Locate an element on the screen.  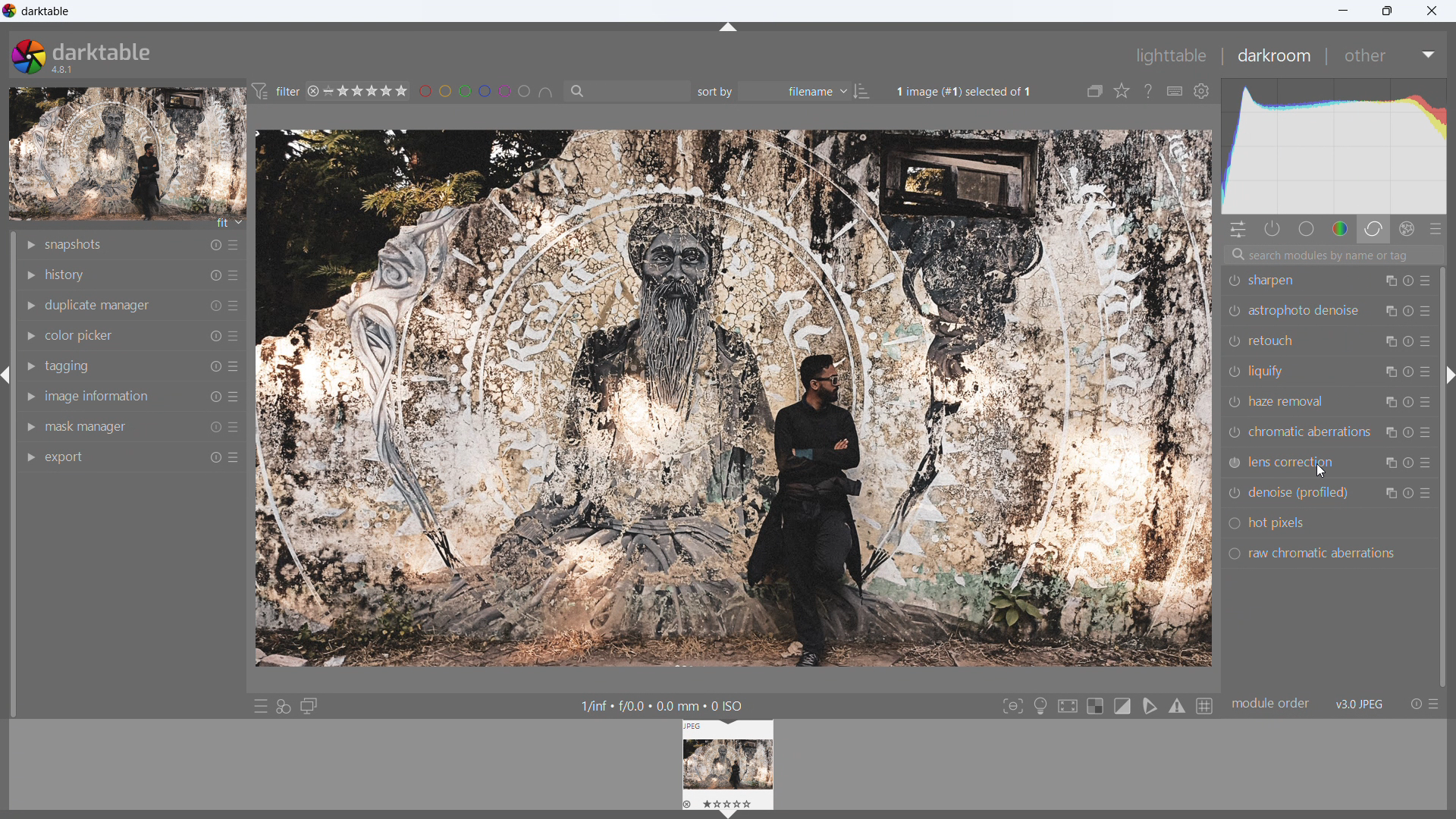
lens correction is located at coordinates (1292, 463).